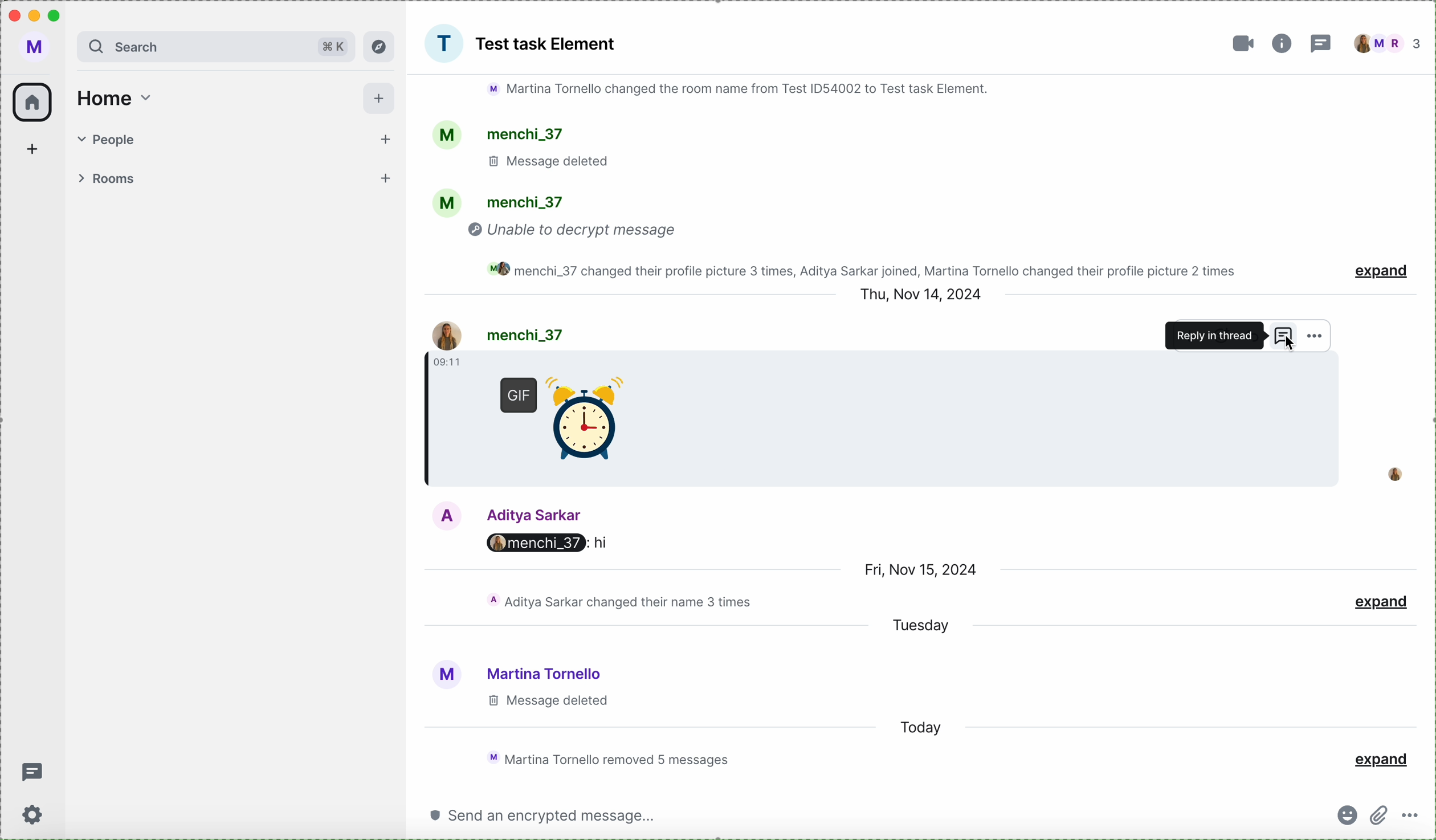 The width and height of the screenshot is (1436, 840). What do you see at coordinates (1393, 475) in the screenshot?
I see `menchi_37 image profile` at bounding box center [1393, 475].